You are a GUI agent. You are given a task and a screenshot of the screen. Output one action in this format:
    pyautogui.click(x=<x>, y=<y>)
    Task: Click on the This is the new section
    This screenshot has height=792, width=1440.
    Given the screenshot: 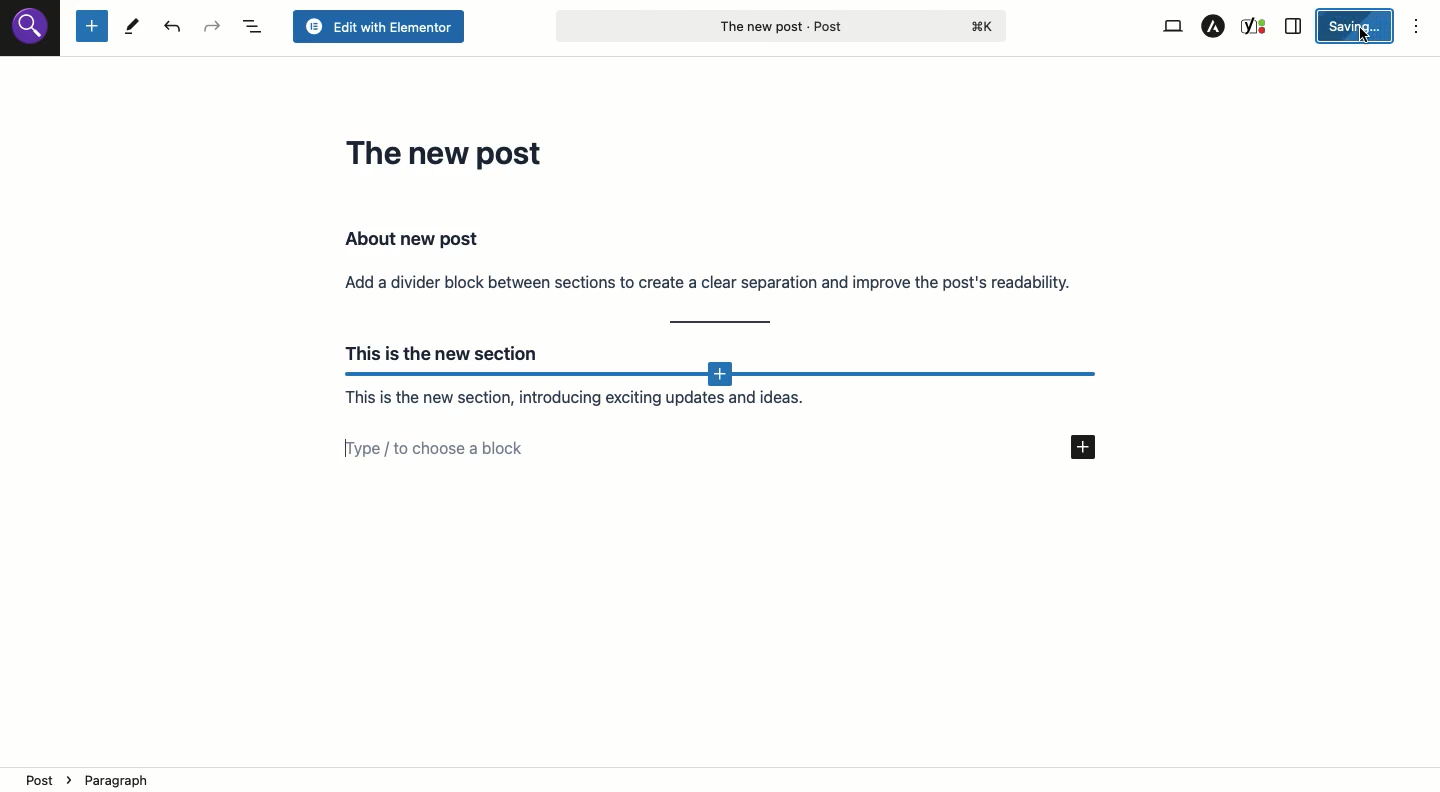 What is the action you would take?
    pyautogui.click(x=437, y=350)
    